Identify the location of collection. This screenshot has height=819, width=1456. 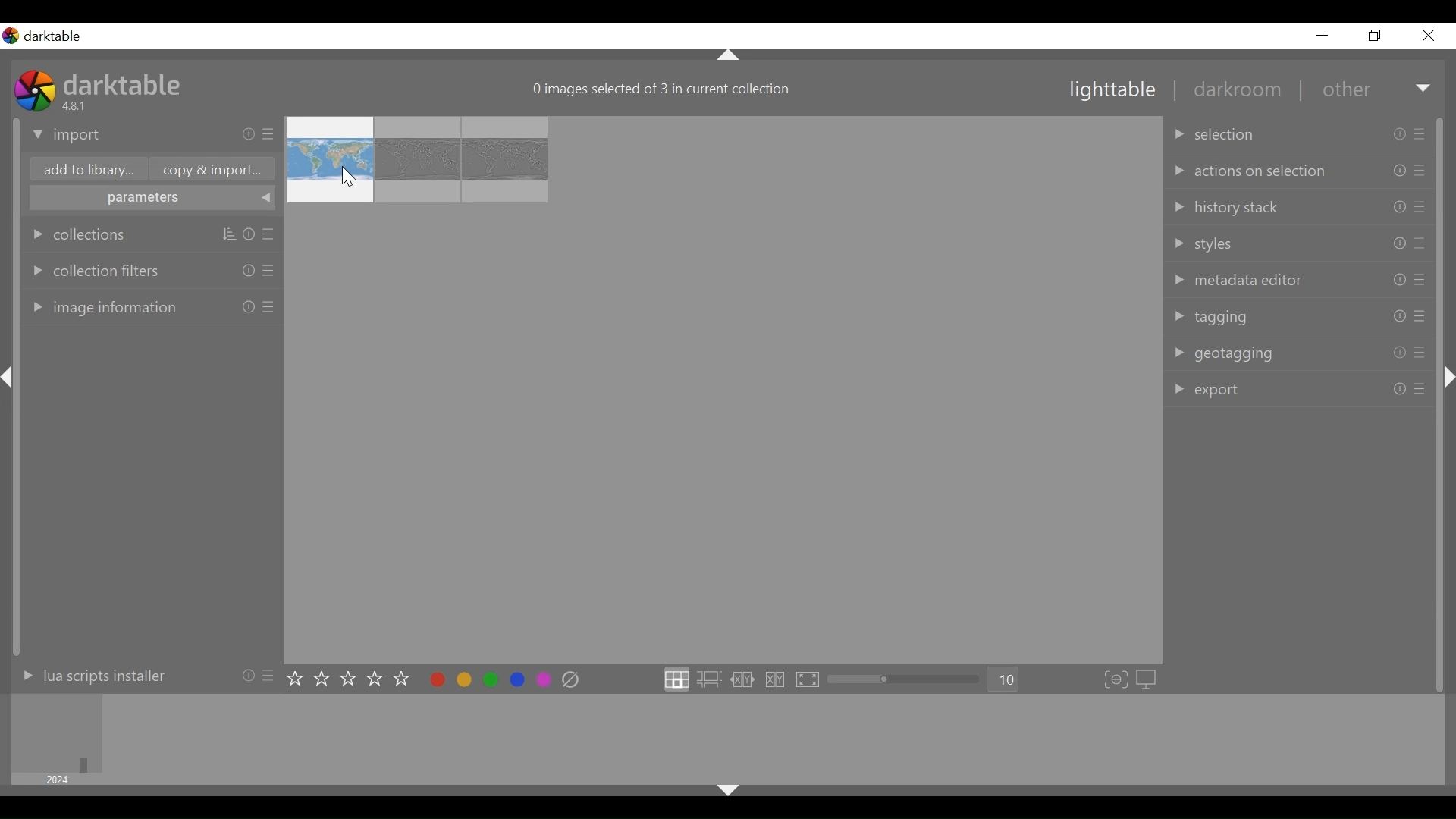
(1300, 132).